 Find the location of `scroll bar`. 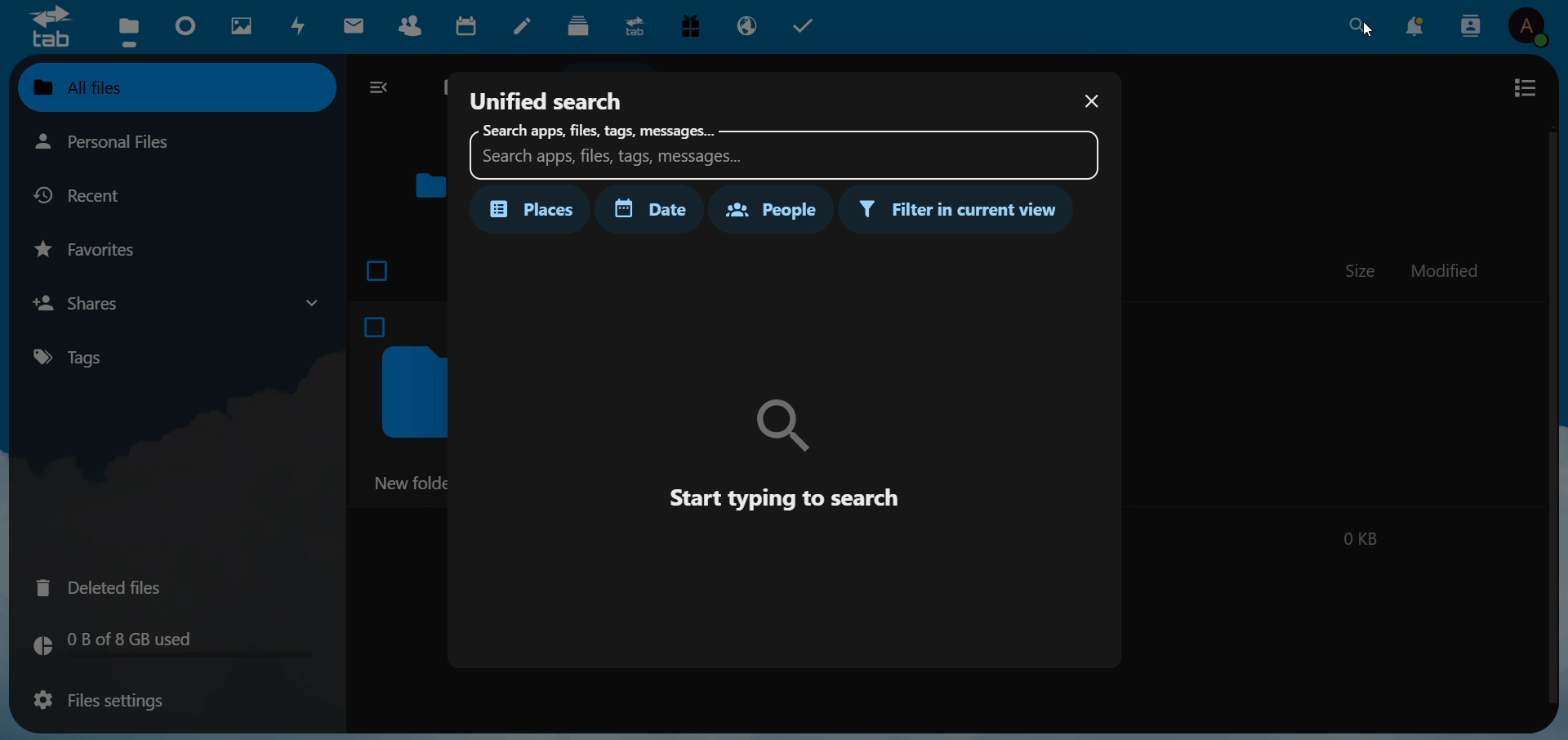

scroll bar is located at coordinates (1550, 413).